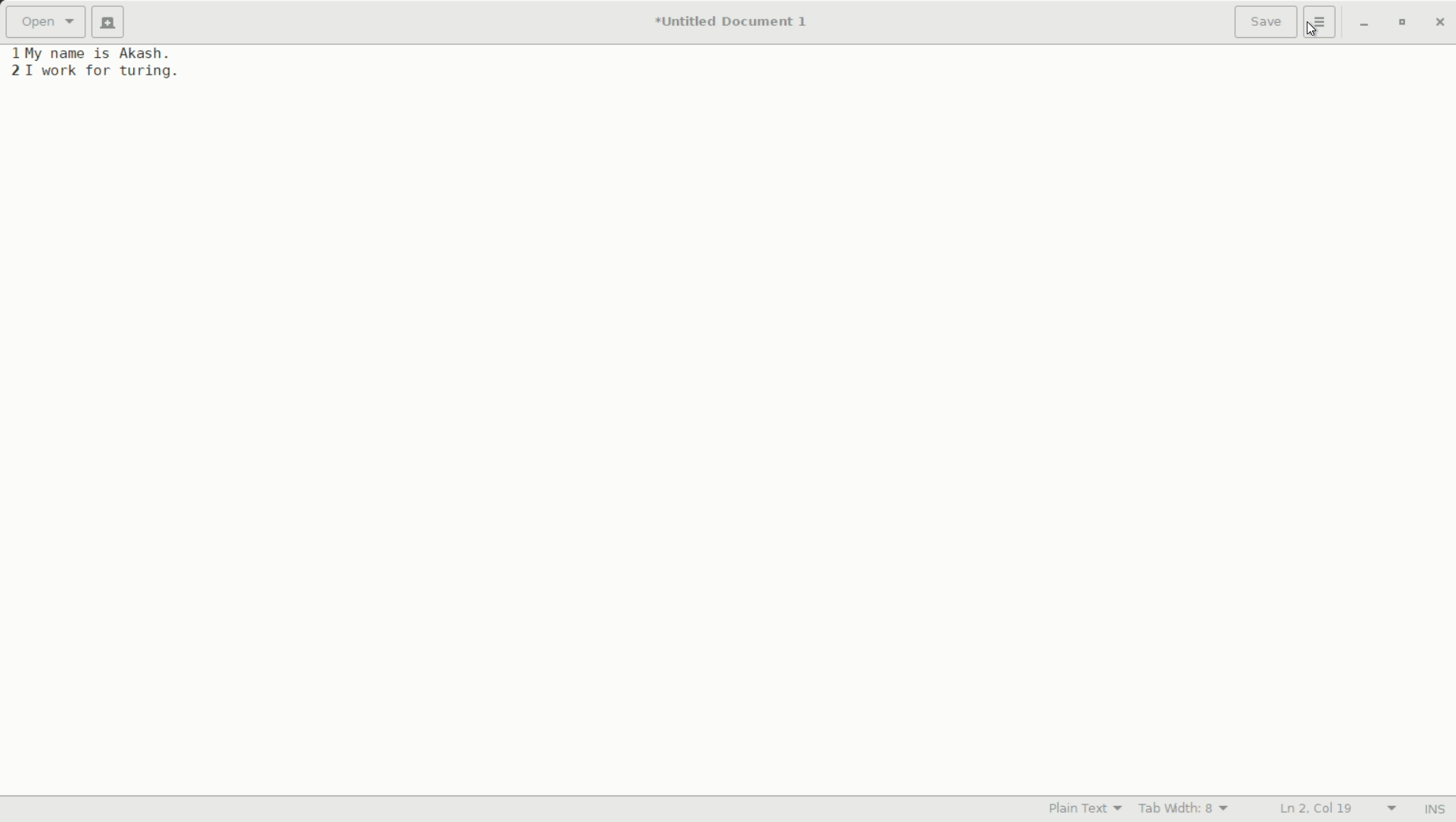  I want to click on 1 My name is Akash., so click(91, 53).